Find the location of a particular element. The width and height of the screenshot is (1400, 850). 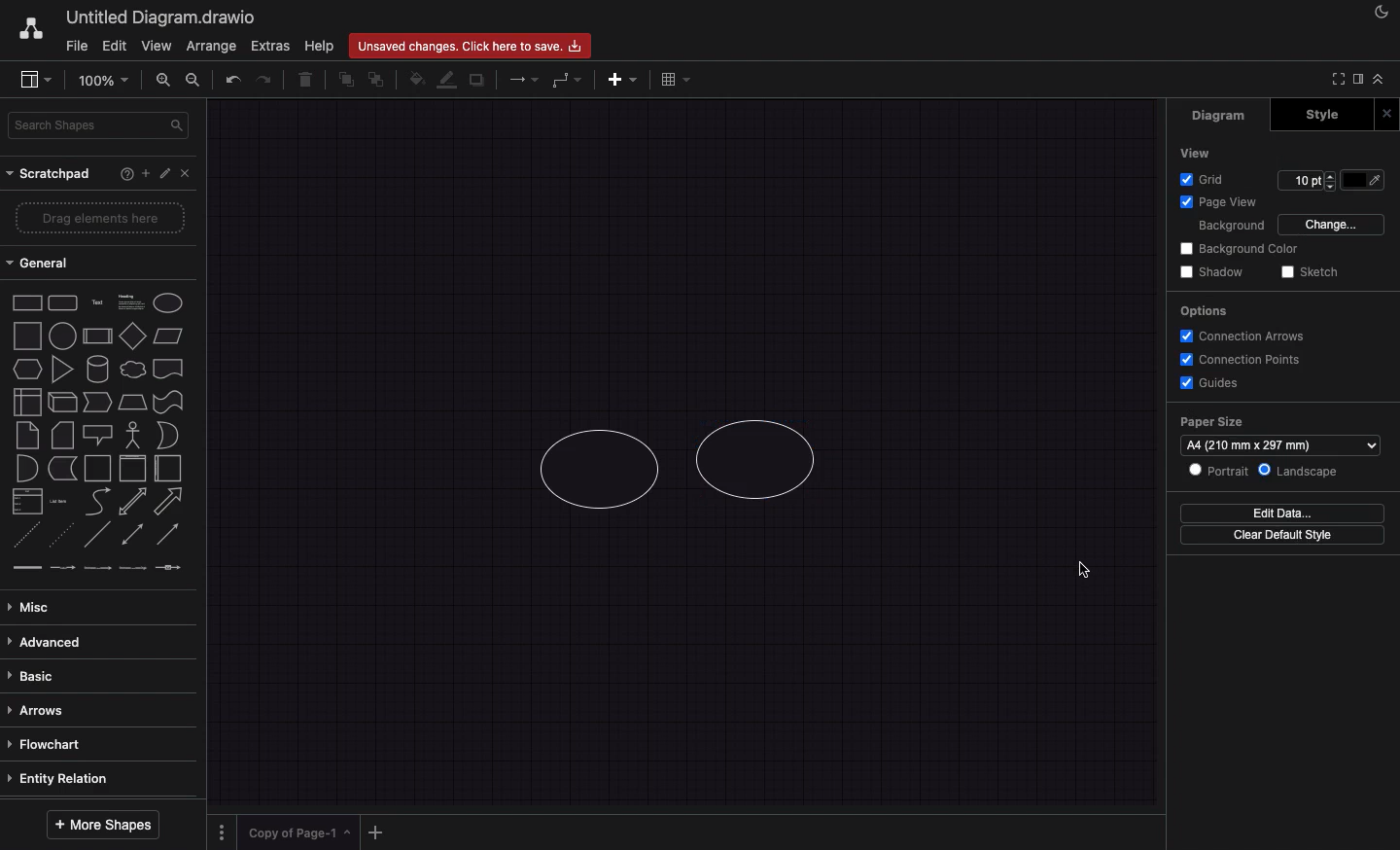

connection points is located at coordinates (1242, 360).